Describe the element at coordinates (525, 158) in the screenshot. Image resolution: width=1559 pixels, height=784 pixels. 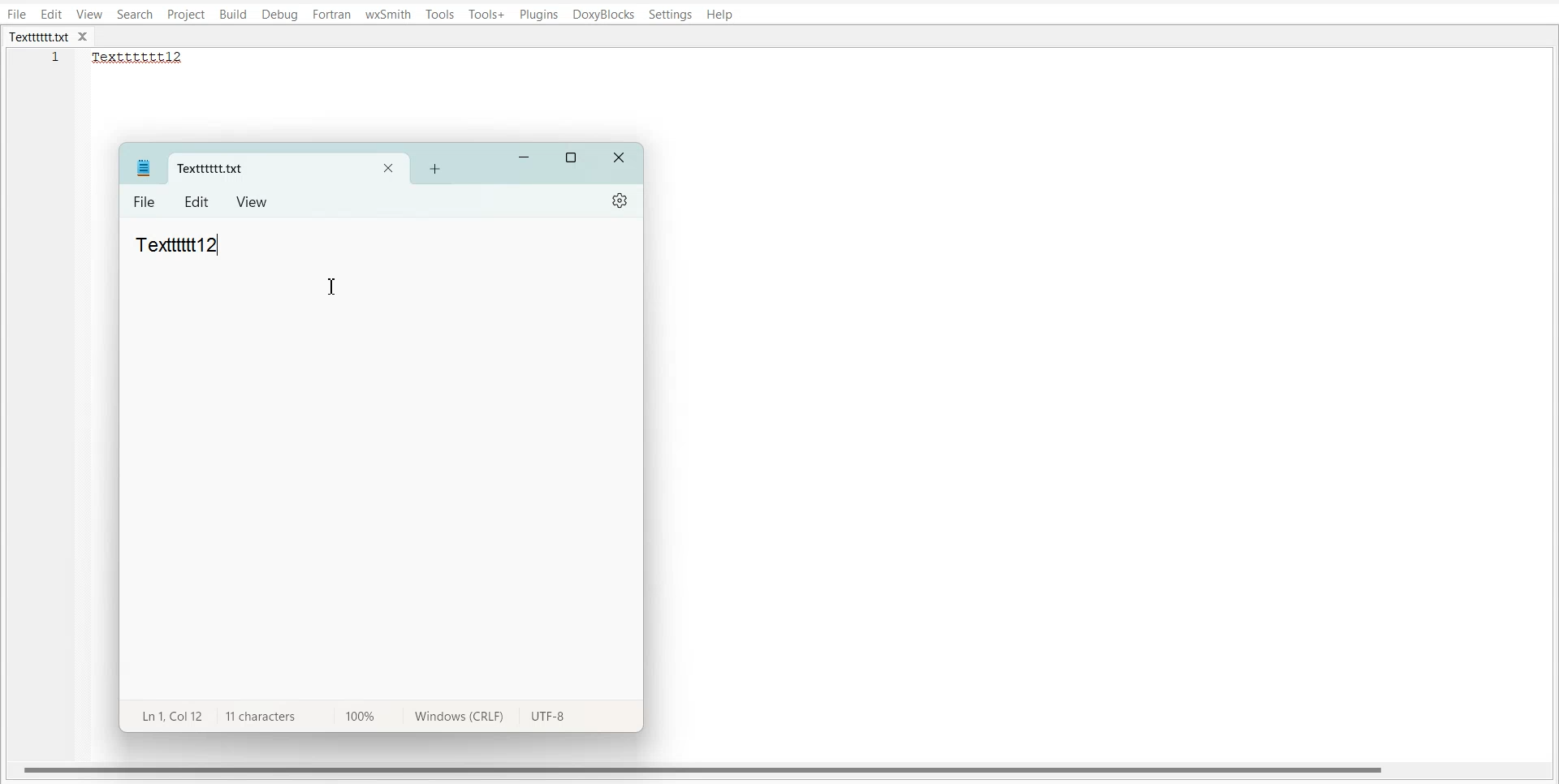
I see `Minimize` at that location.